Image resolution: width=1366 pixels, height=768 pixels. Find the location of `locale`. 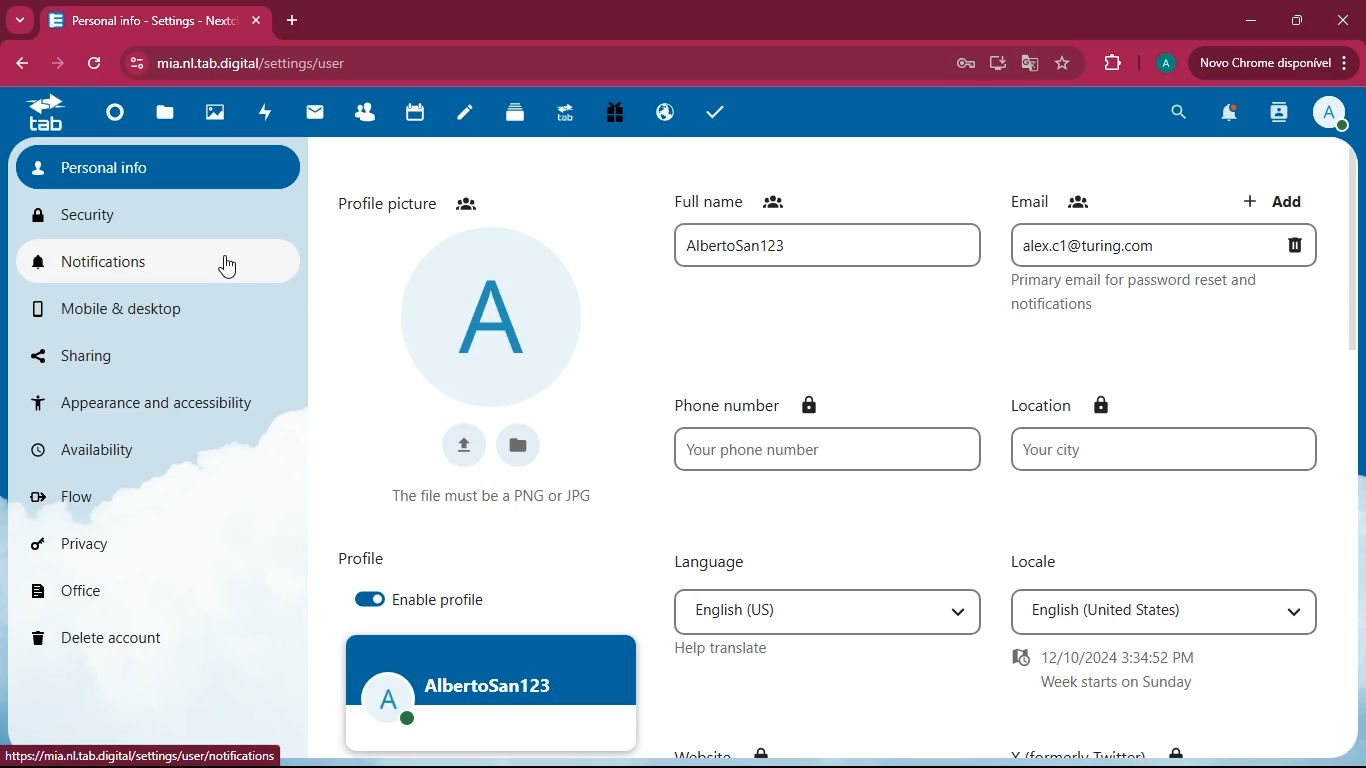

locale is located at coordinates (1162, 613).